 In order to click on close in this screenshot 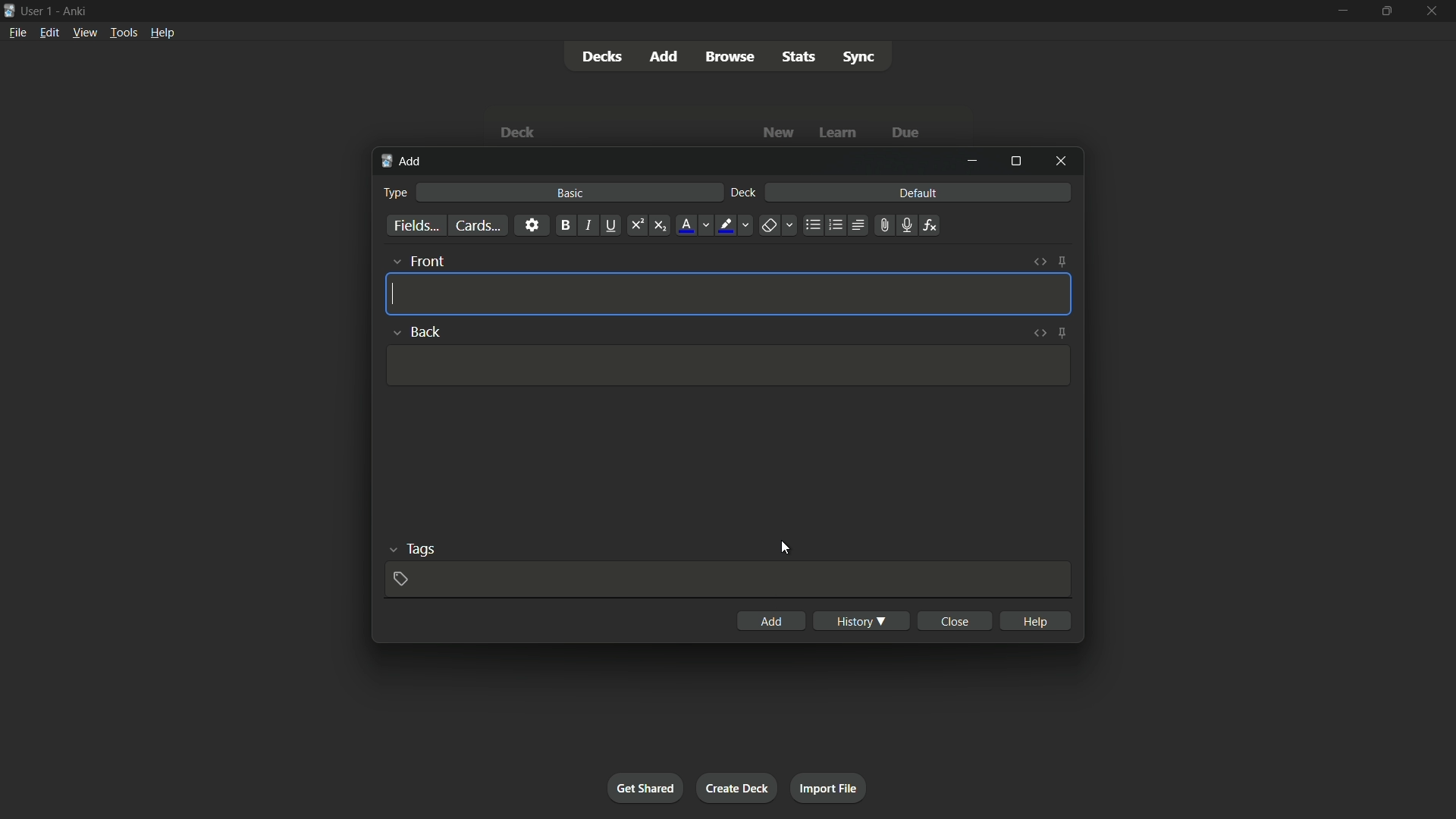, I will do `click(957, 620)`.